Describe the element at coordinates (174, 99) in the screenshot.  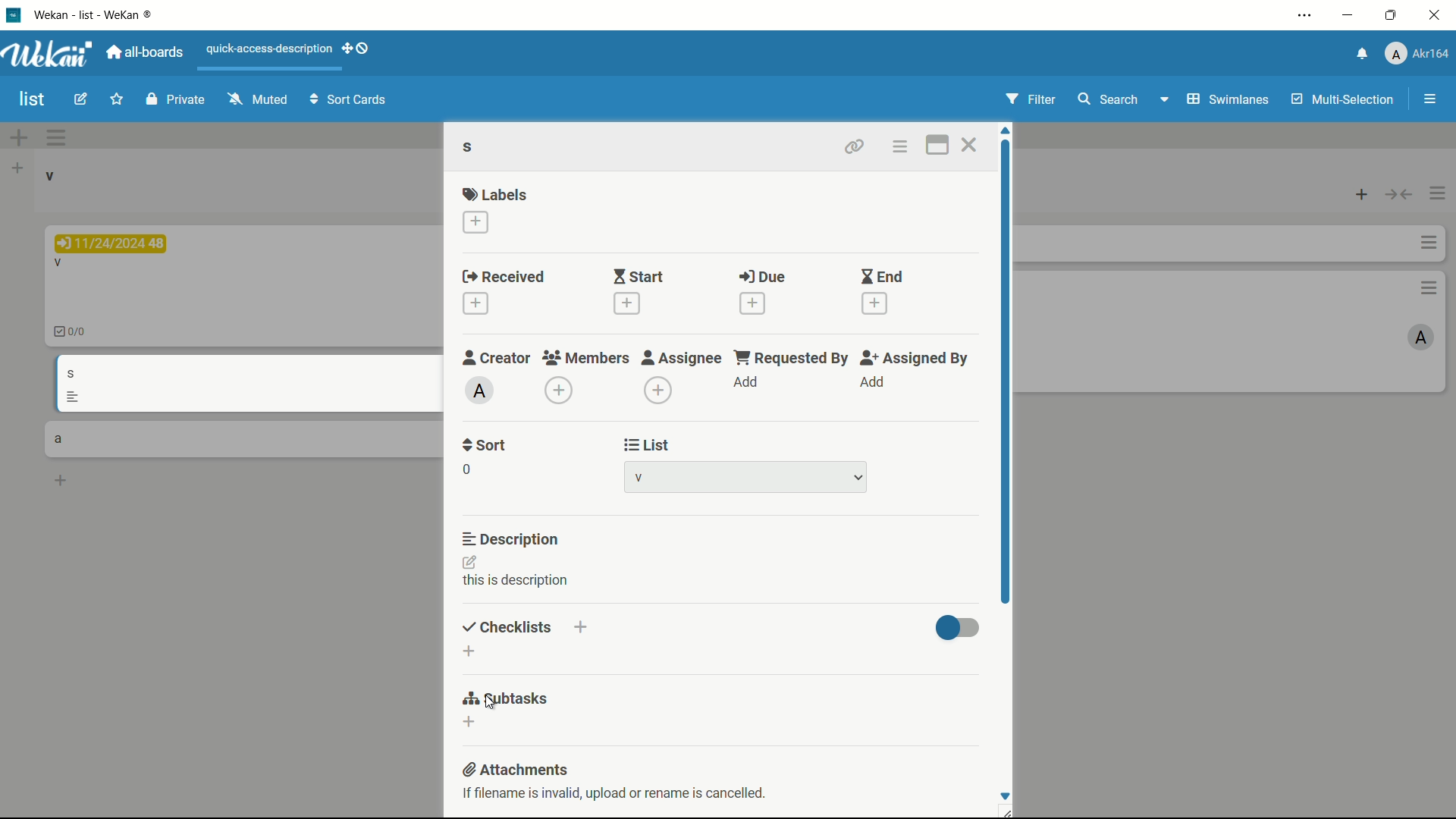
I see `private` at that location.